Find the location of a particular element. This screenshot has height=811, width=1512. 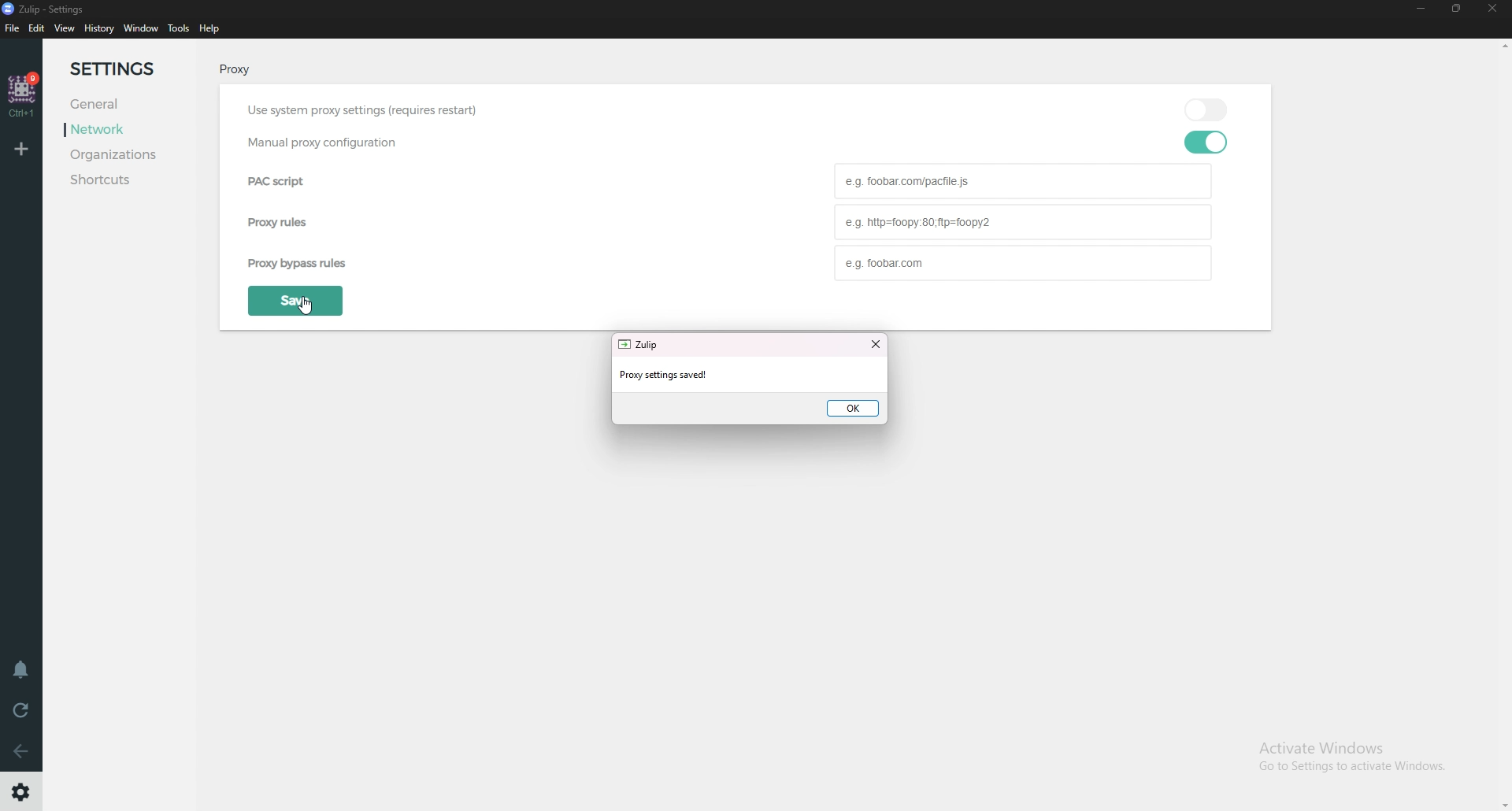

Add organization is located at coordinates (24, 148).